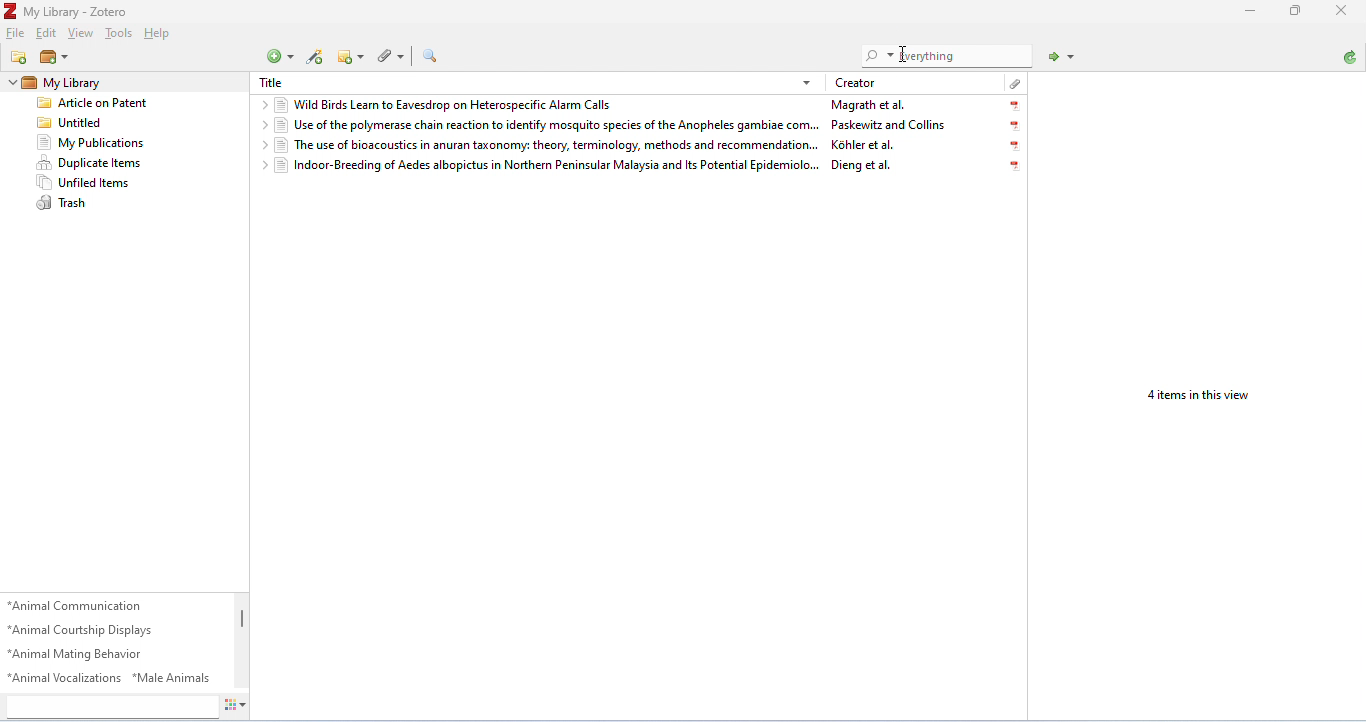  What do you see at coordinates (108, 204) in the screenshot?
I see `Trash` at bounding box center [108, 204].